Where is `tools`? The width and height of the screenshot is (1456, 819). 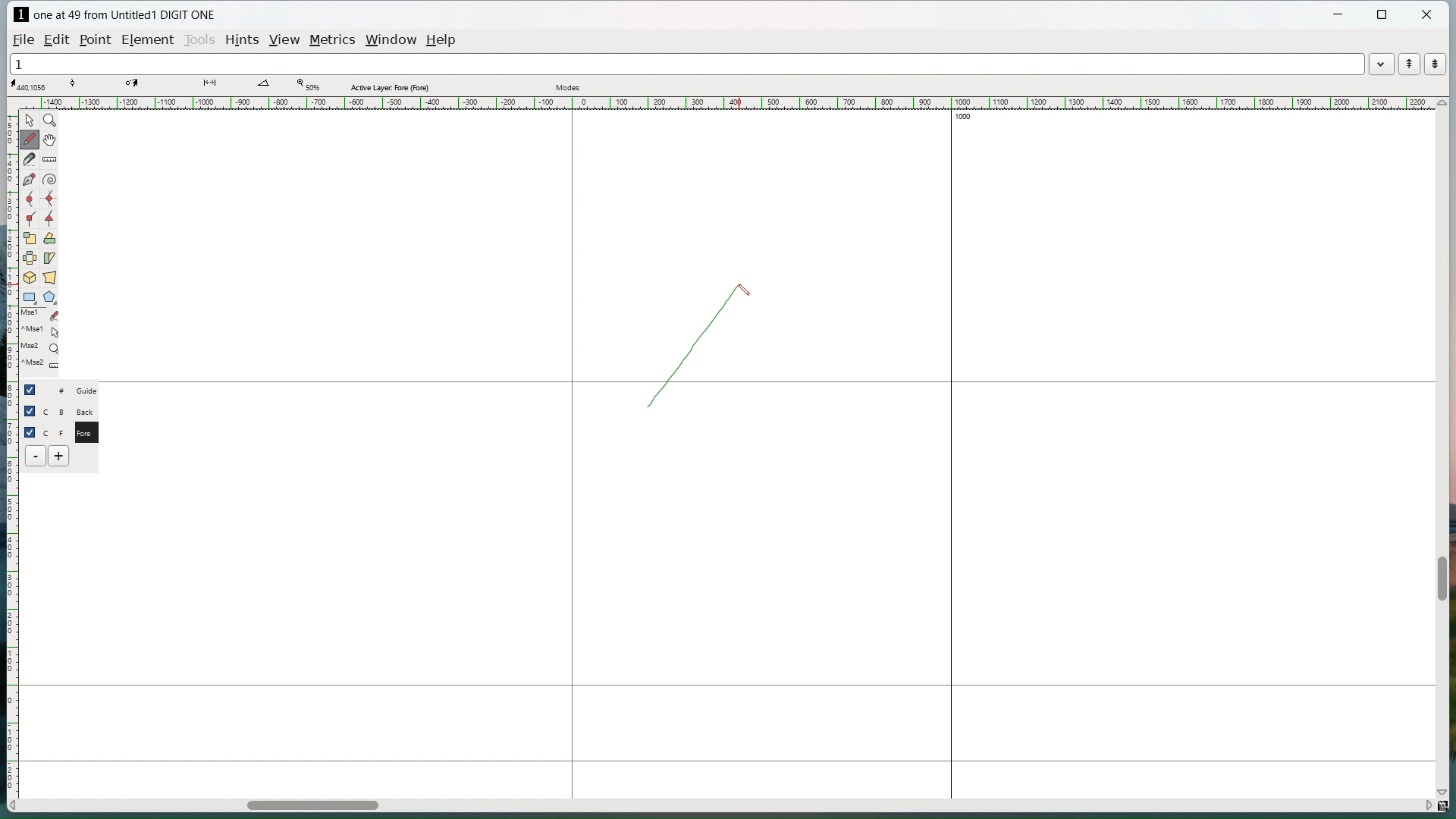
tools is located at coordinates (199, 41).